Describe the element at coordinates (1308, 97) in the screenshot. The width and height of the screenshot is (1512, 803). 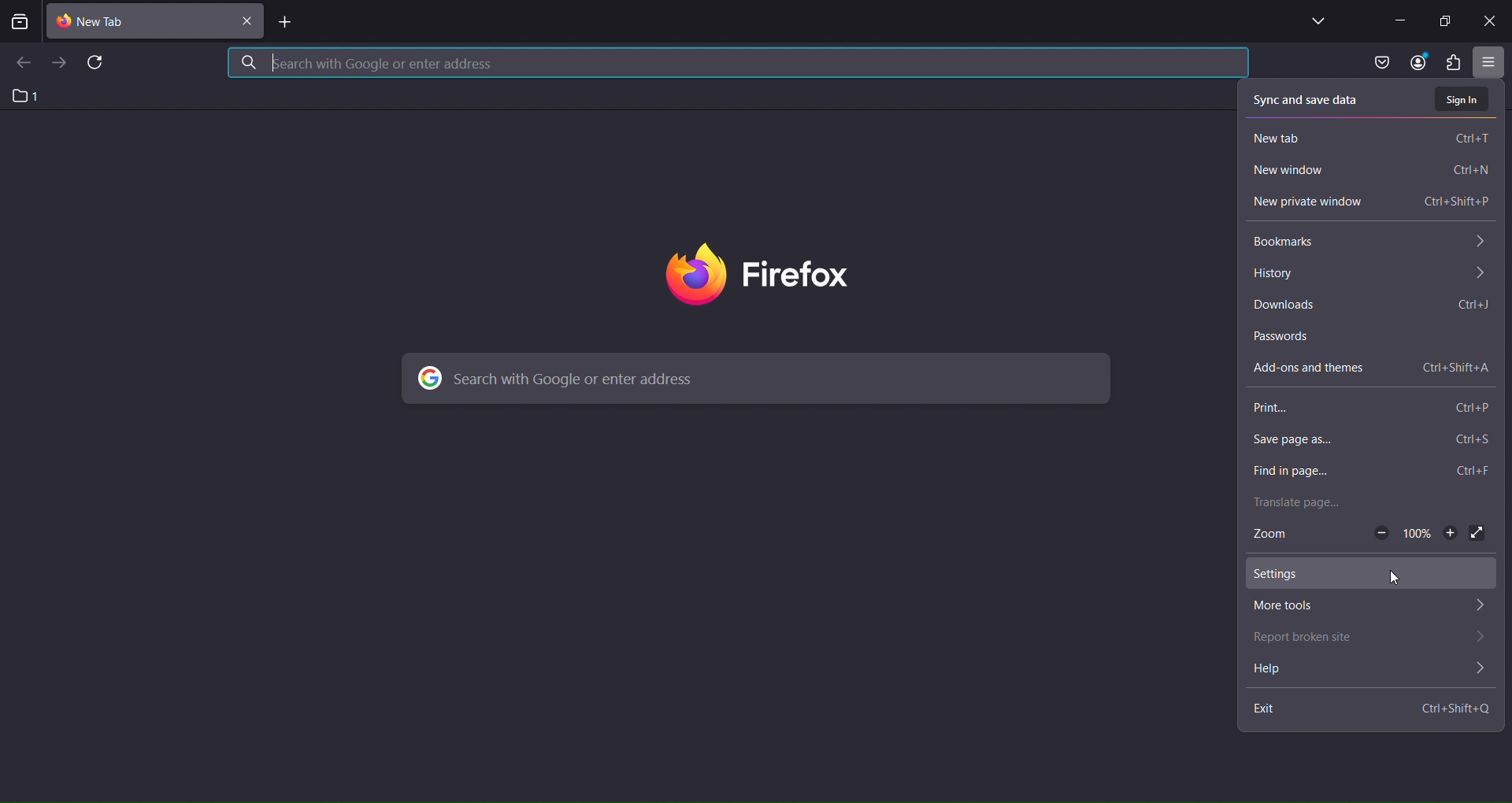
I see `sync and new data` at that location.